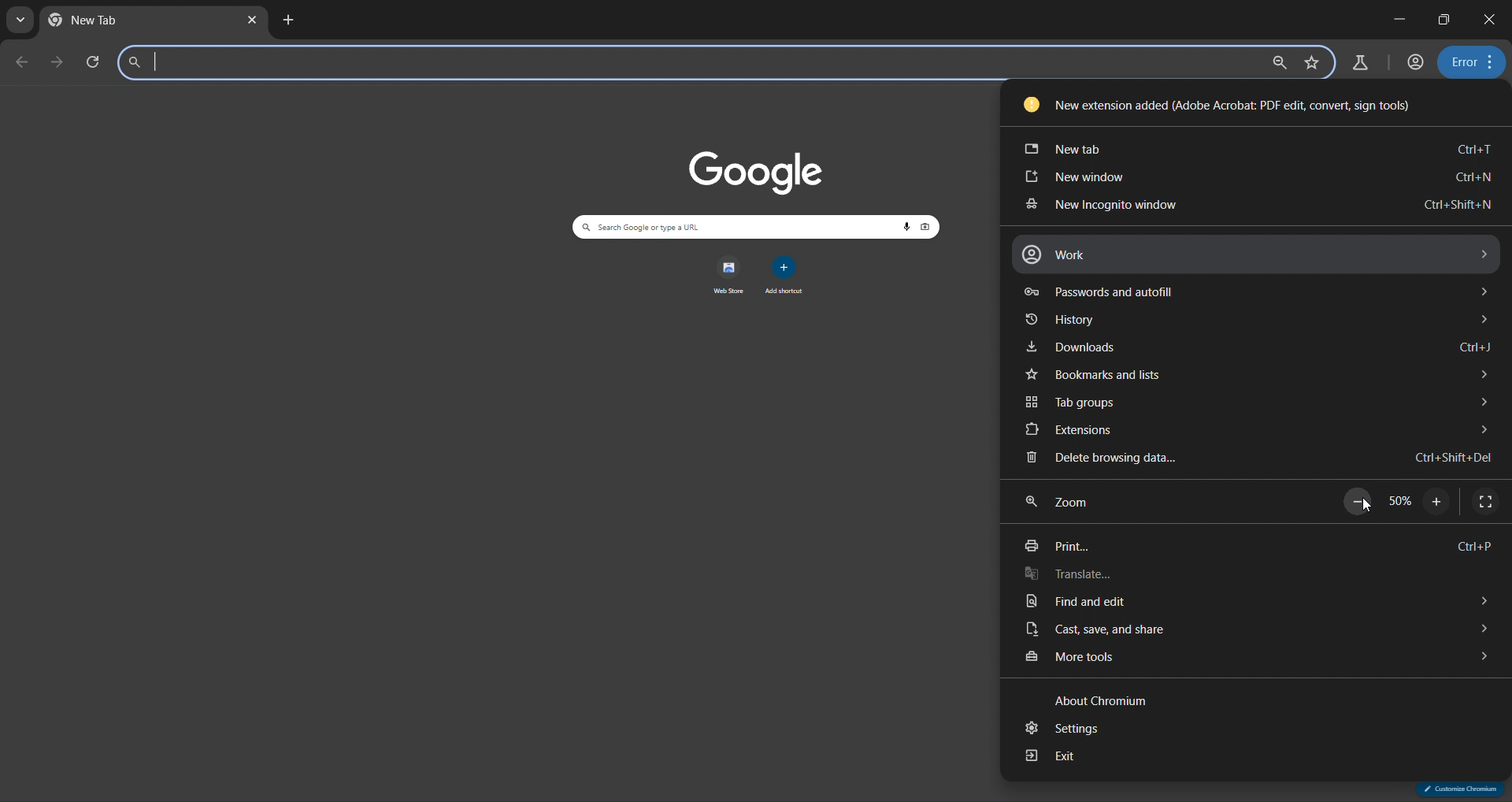 This screenshot has height=802, width=1512. Describe the element at coordinates (1262, 349) in the screenshot. I see `downloads` at that location.